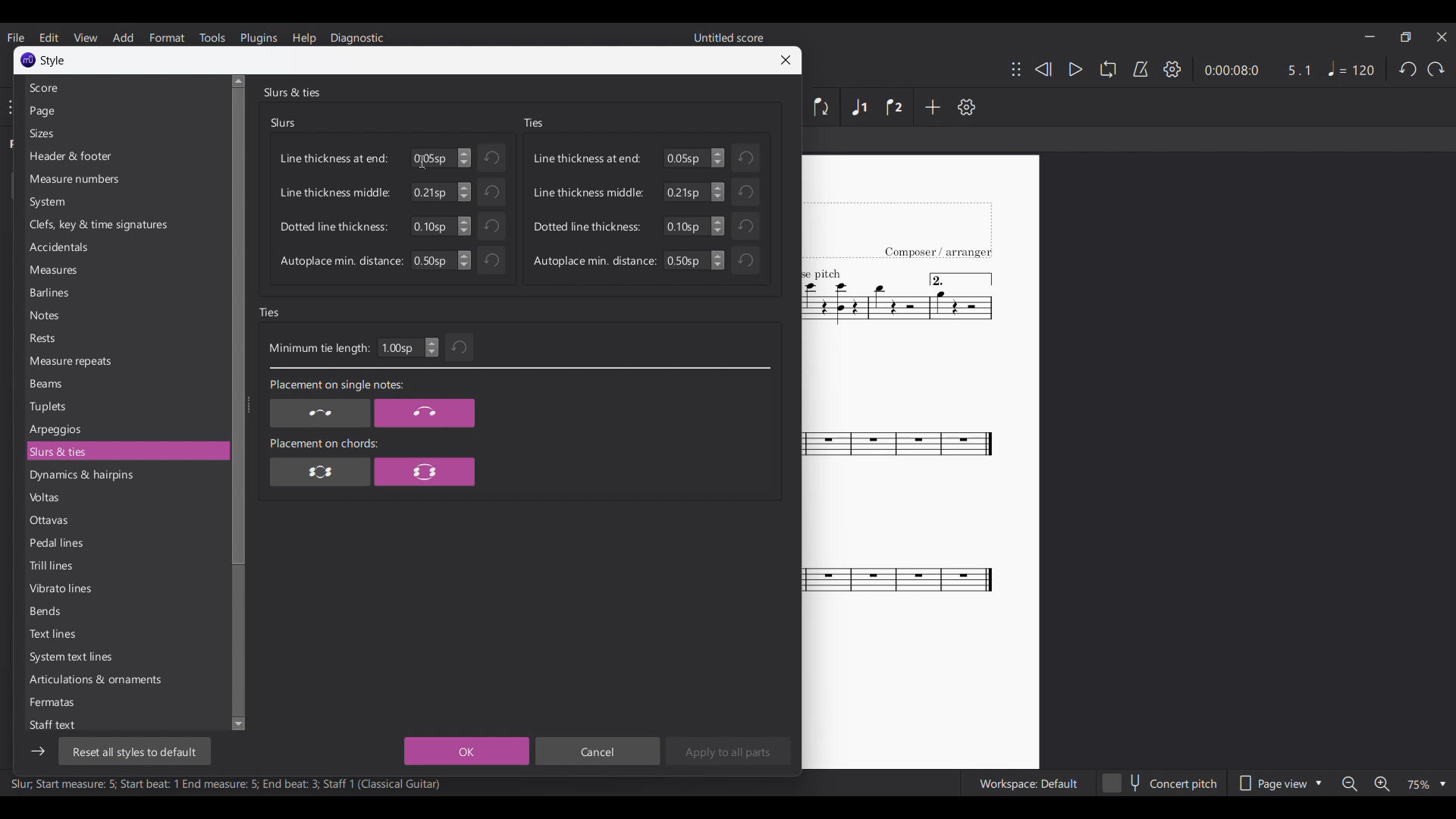  I want to click on Increase/Decrease Line thickness at end, so click(717, 158).